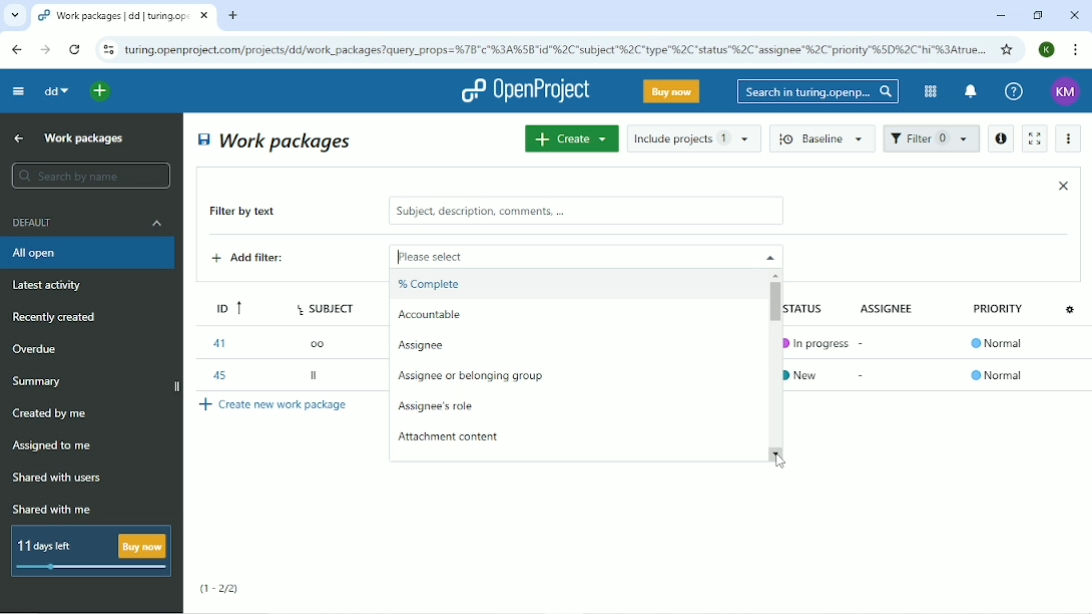  I want to click on Summary, so click(40, 381).